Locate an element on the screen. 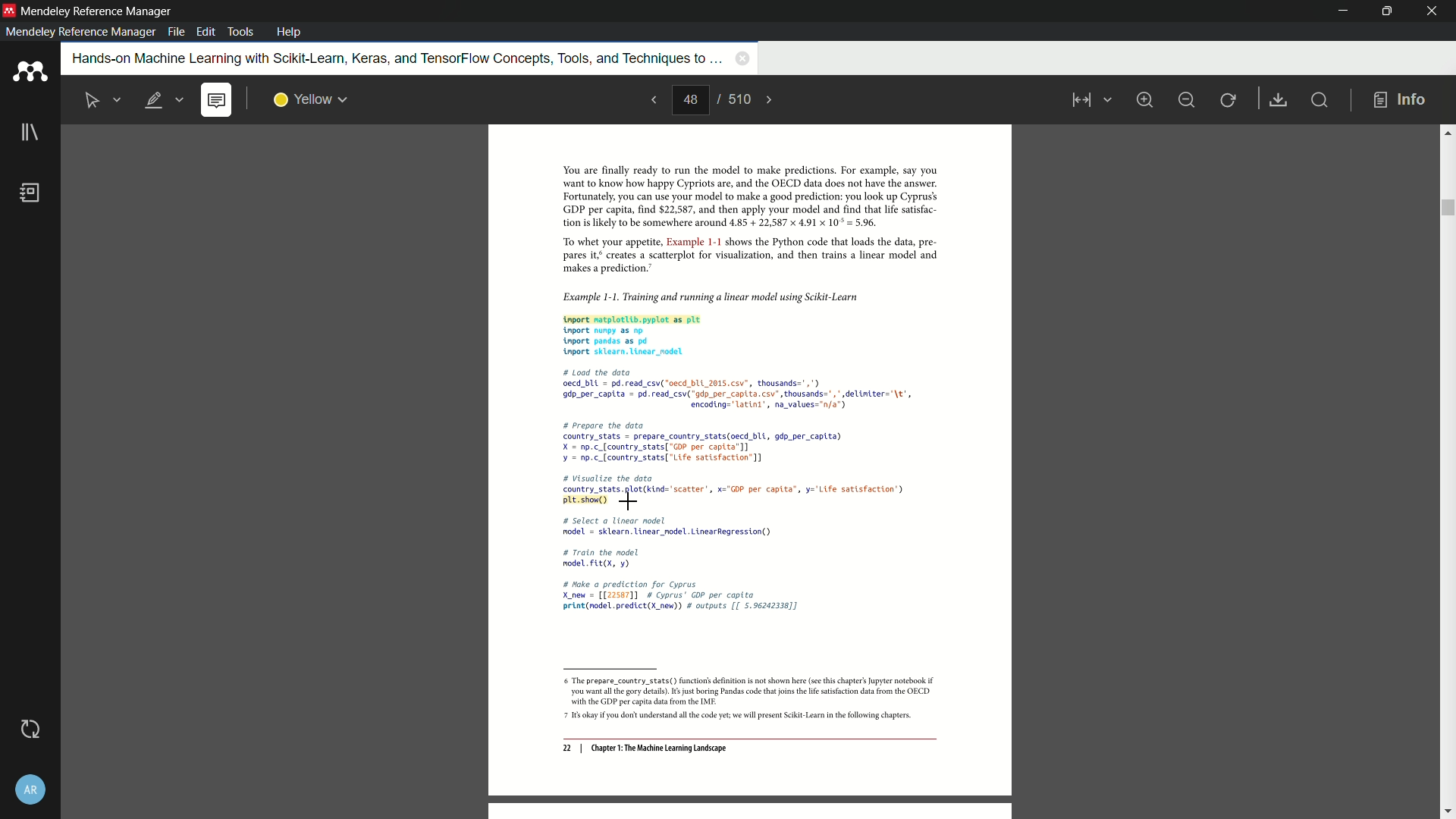 The width and height of the screenshot is (1456, 819). zoom in is located at coordinates (1144, 99).